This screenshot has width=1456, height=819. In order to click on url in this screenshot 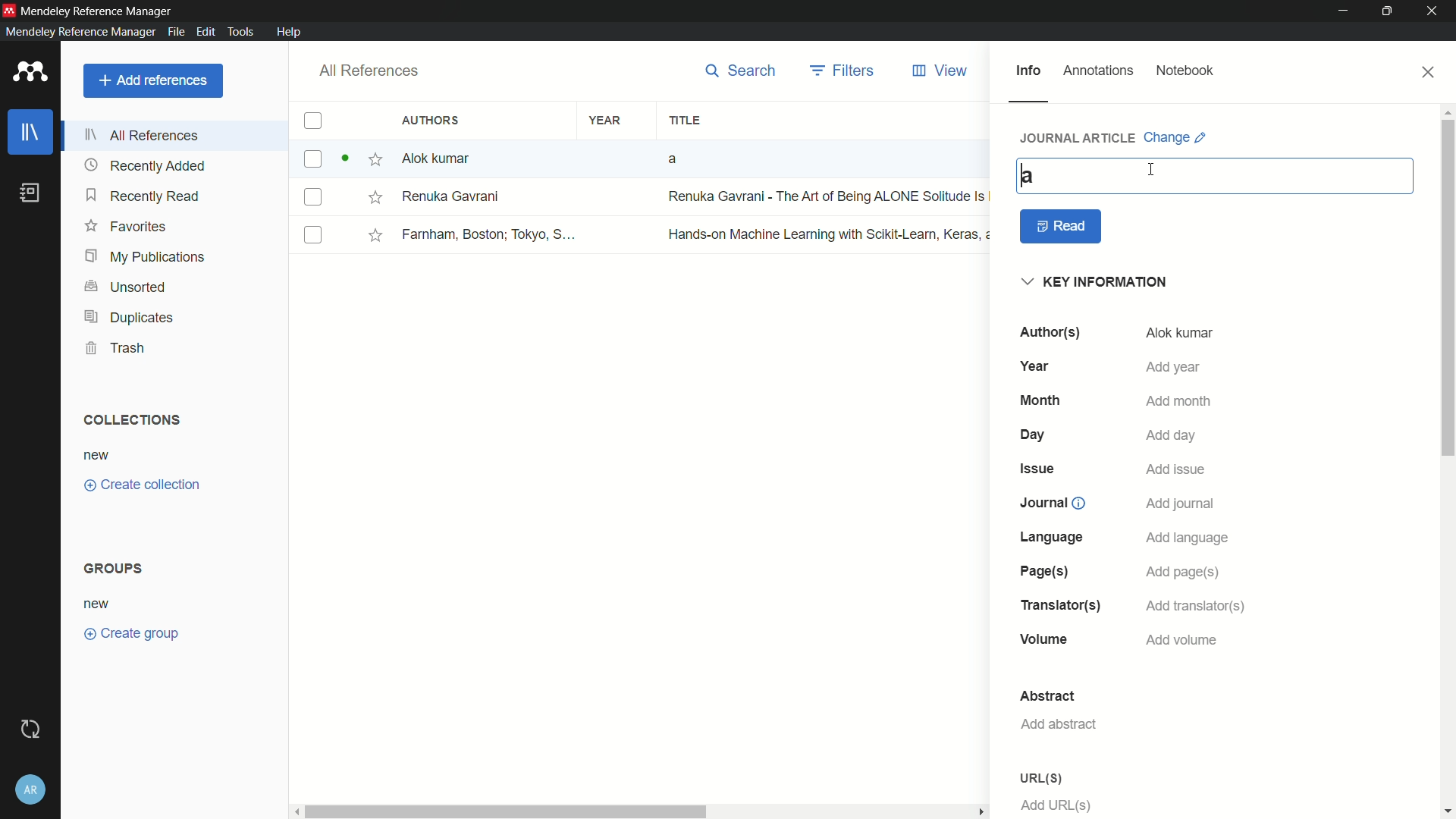, I will do `click(1040, 778)`.